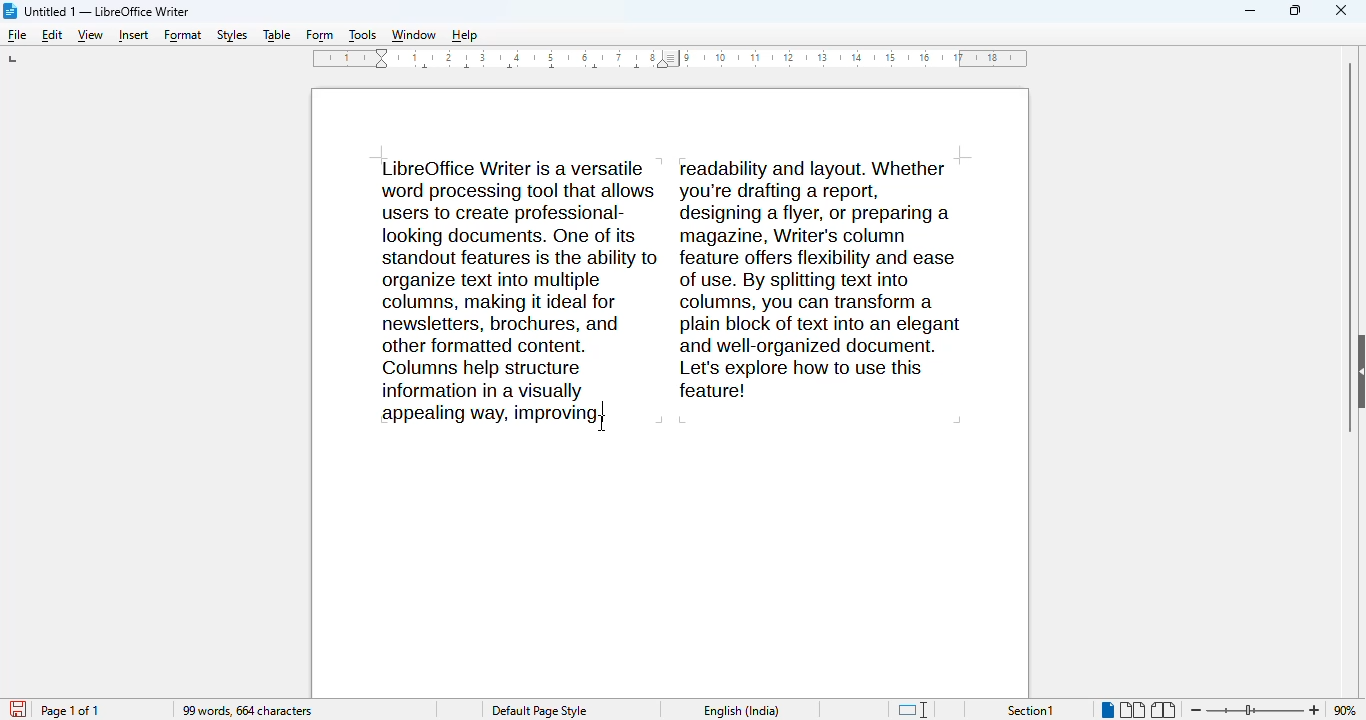 The height and width of the screenshot is (720, 1366). I want to click on center tab, so click(472, 70).